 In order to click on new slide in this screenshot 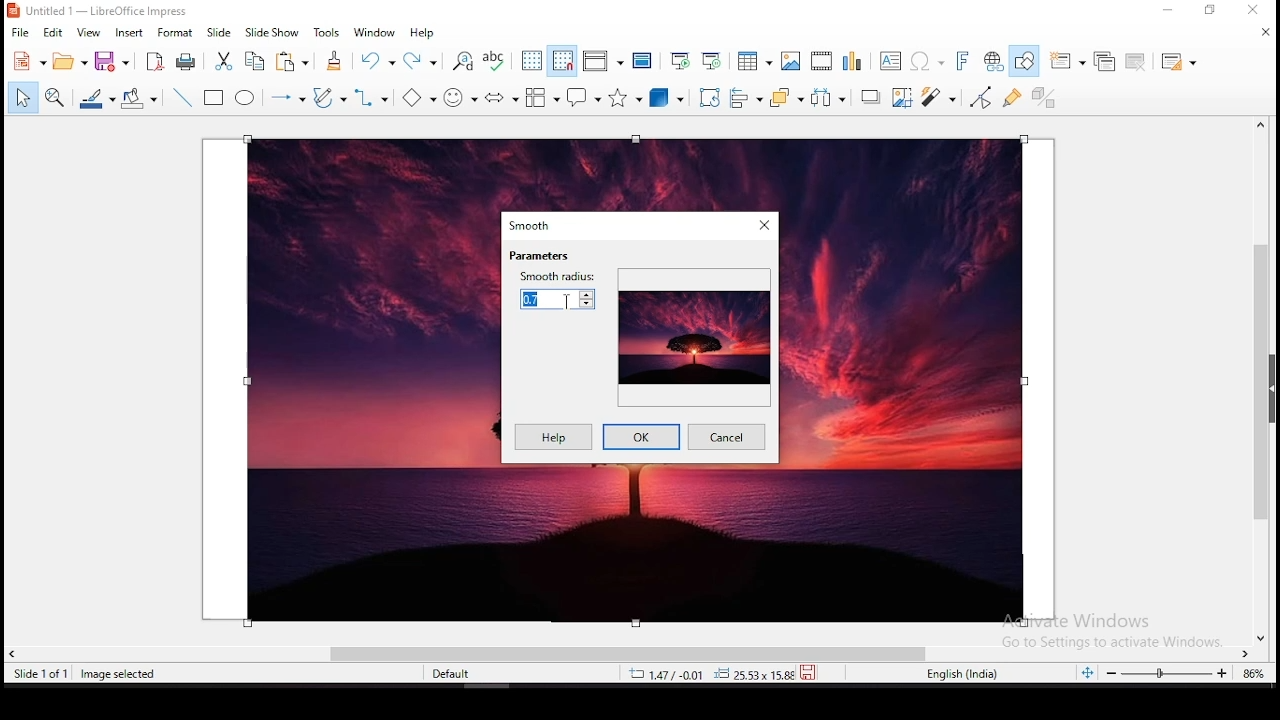, I will do `click(1068, 60)`.